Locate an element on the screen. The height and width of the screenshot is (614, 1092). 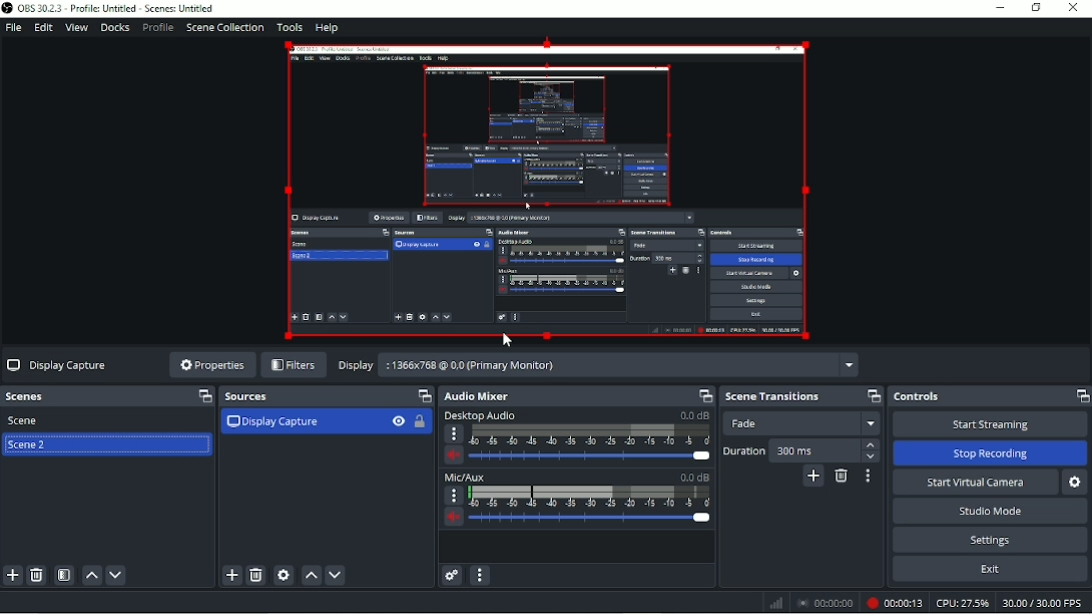
Add scene is located at coordinates (12, 576).